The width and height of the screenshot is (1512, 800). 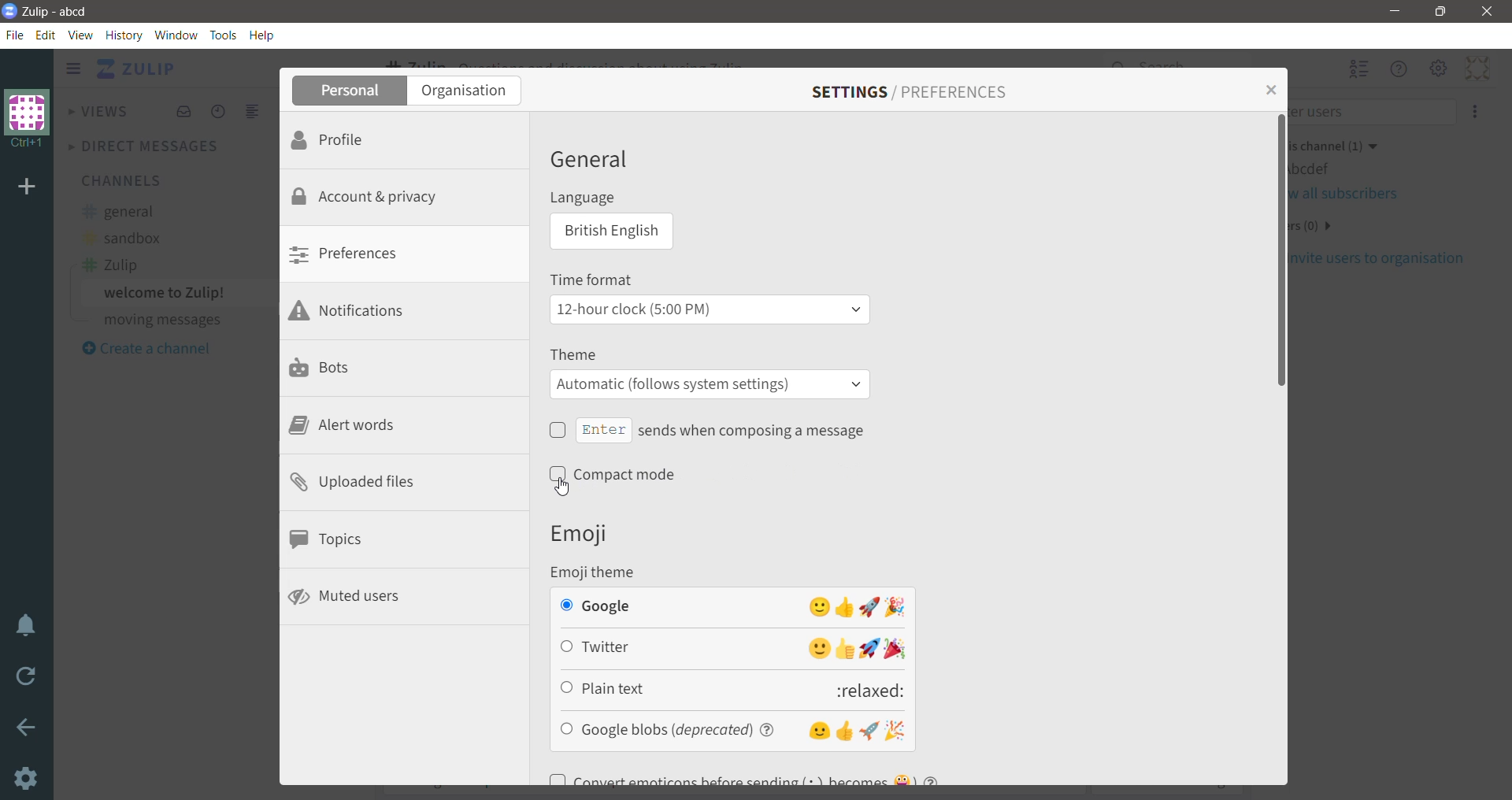 I want to click on Compact mode - click to enable/disable, so click(x=620, y=475).